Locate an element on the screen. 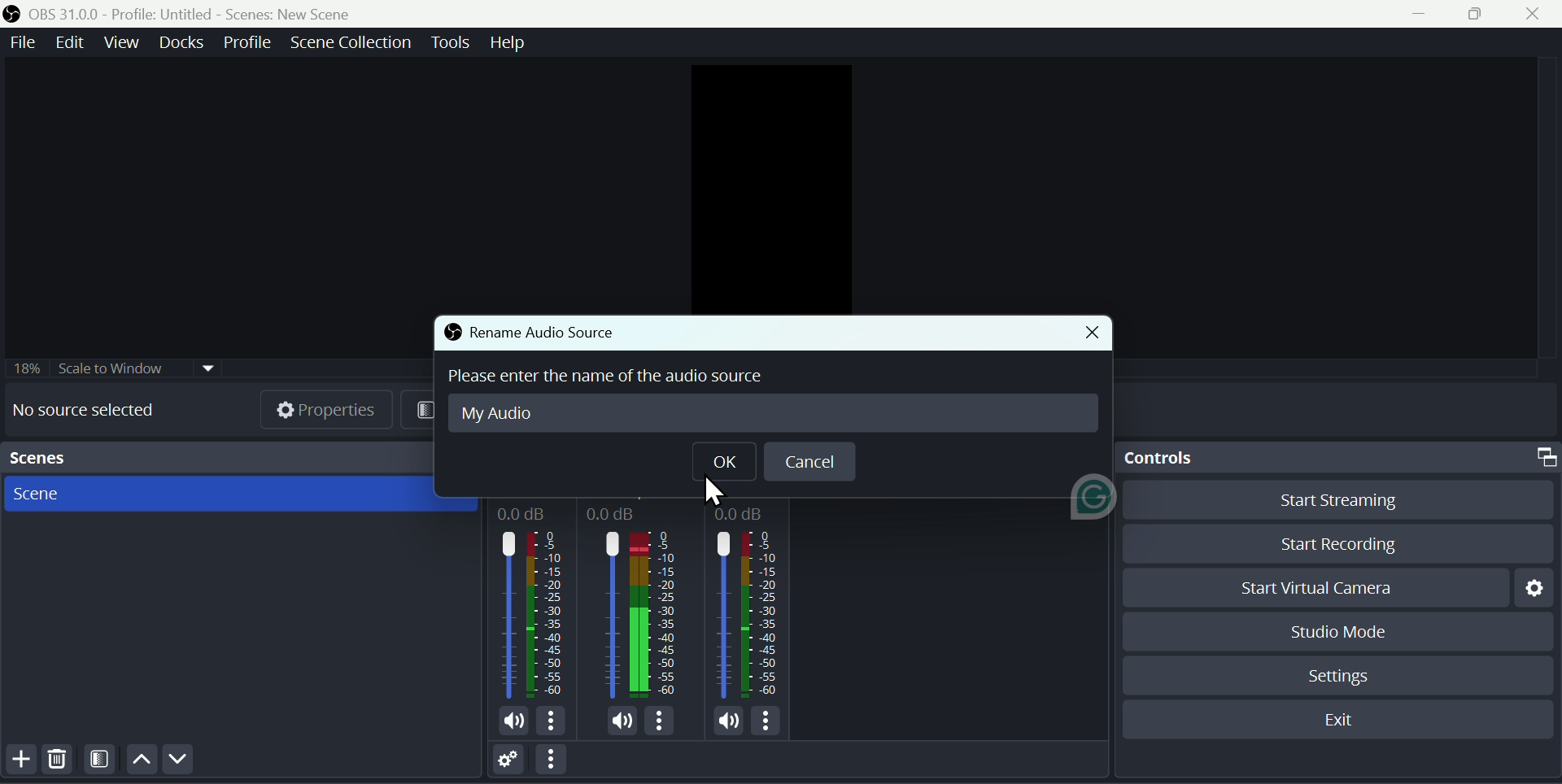 The width and height of the screenshot is (1562, 784). Properties is located at coordinates (331, 412).